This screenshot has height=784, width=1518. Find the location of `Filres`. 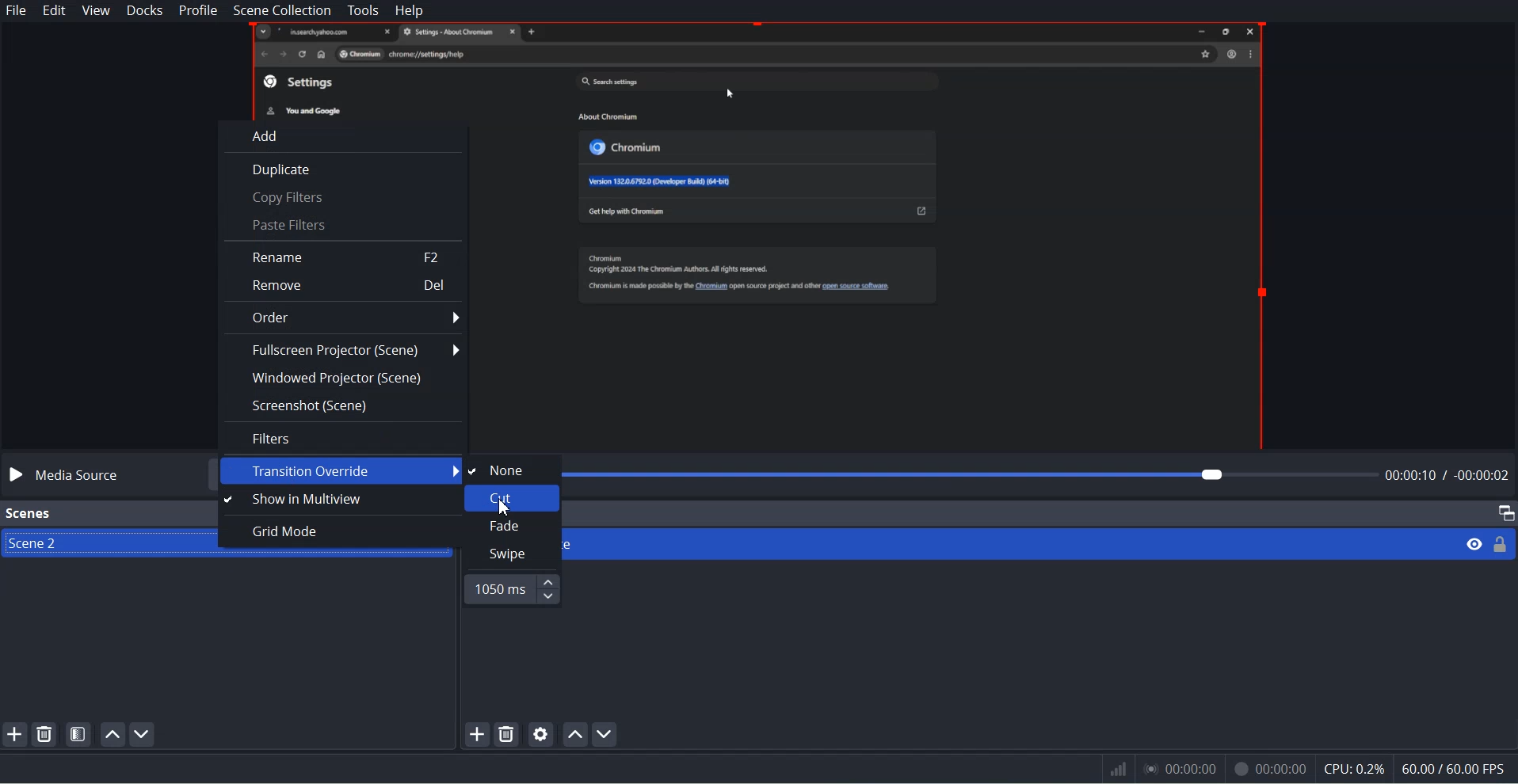

Filres is located at coordinates (342, 438).